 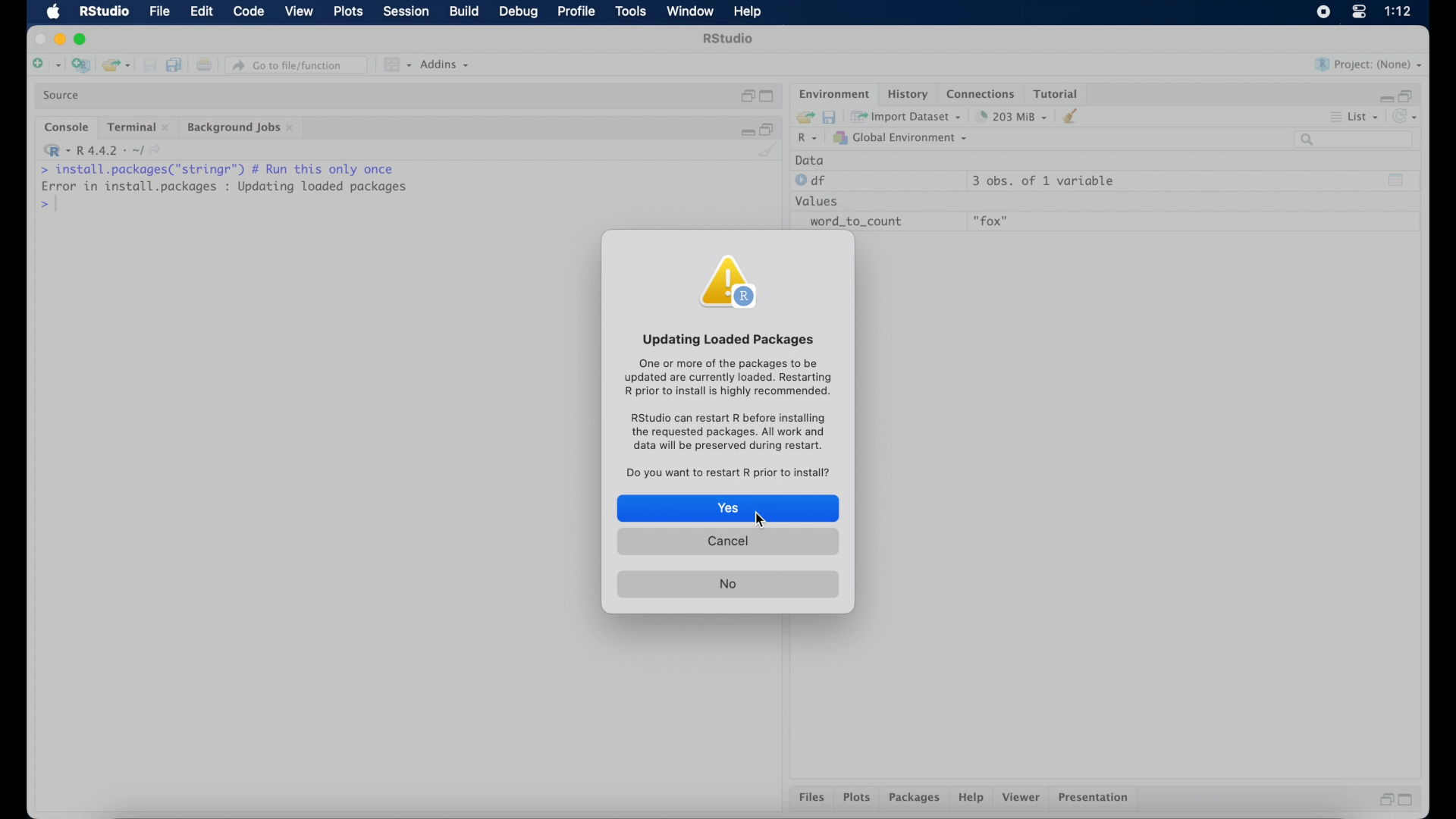 What do you see at coordinates (745, 130) in the screenshot?
I see `minimize` at bounding box center [745, 130].